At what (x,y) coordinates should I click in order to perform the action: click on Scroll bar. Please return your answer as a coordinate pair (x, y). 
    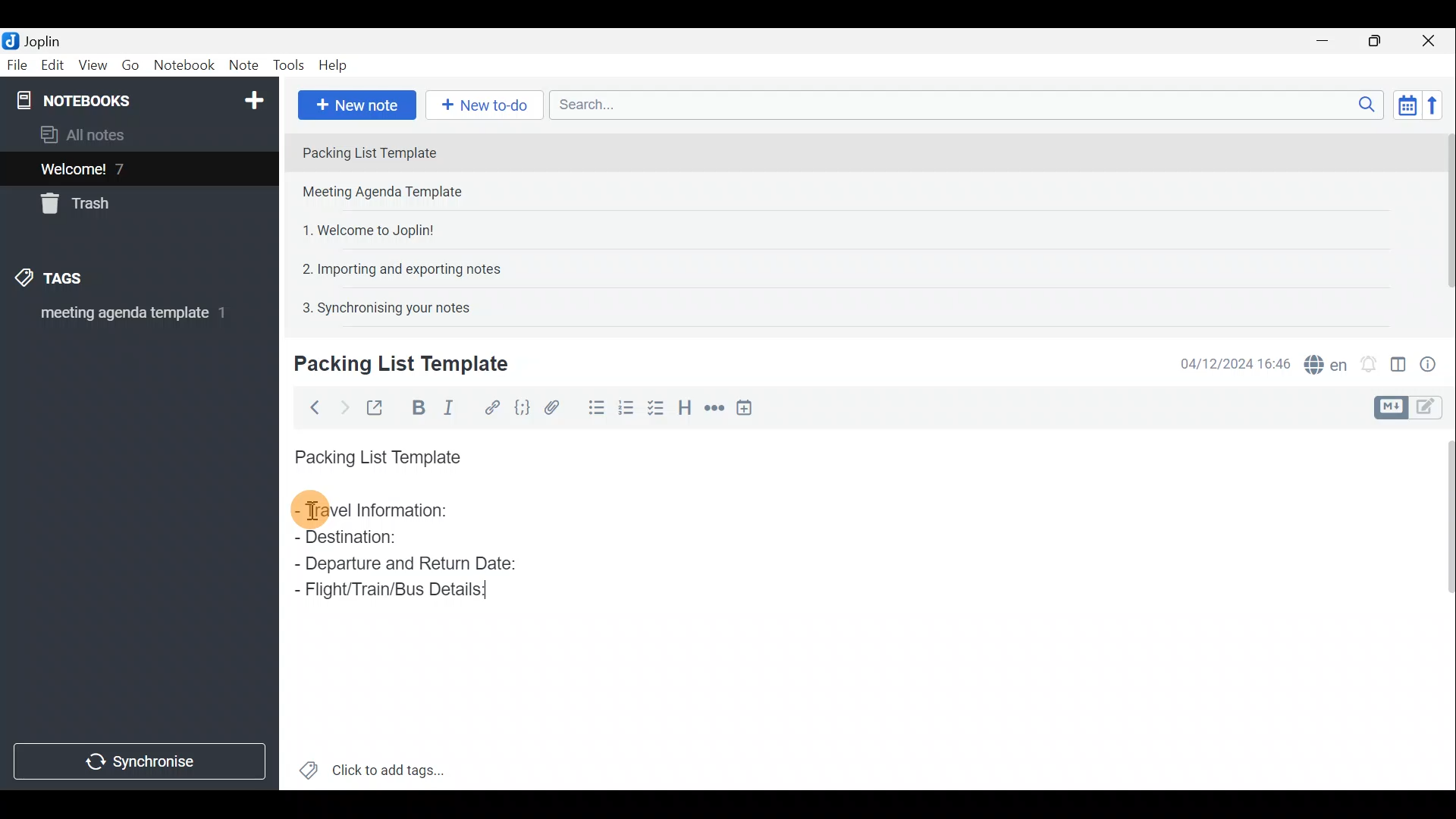
    Looking at the image, I should click on (1442, 607).